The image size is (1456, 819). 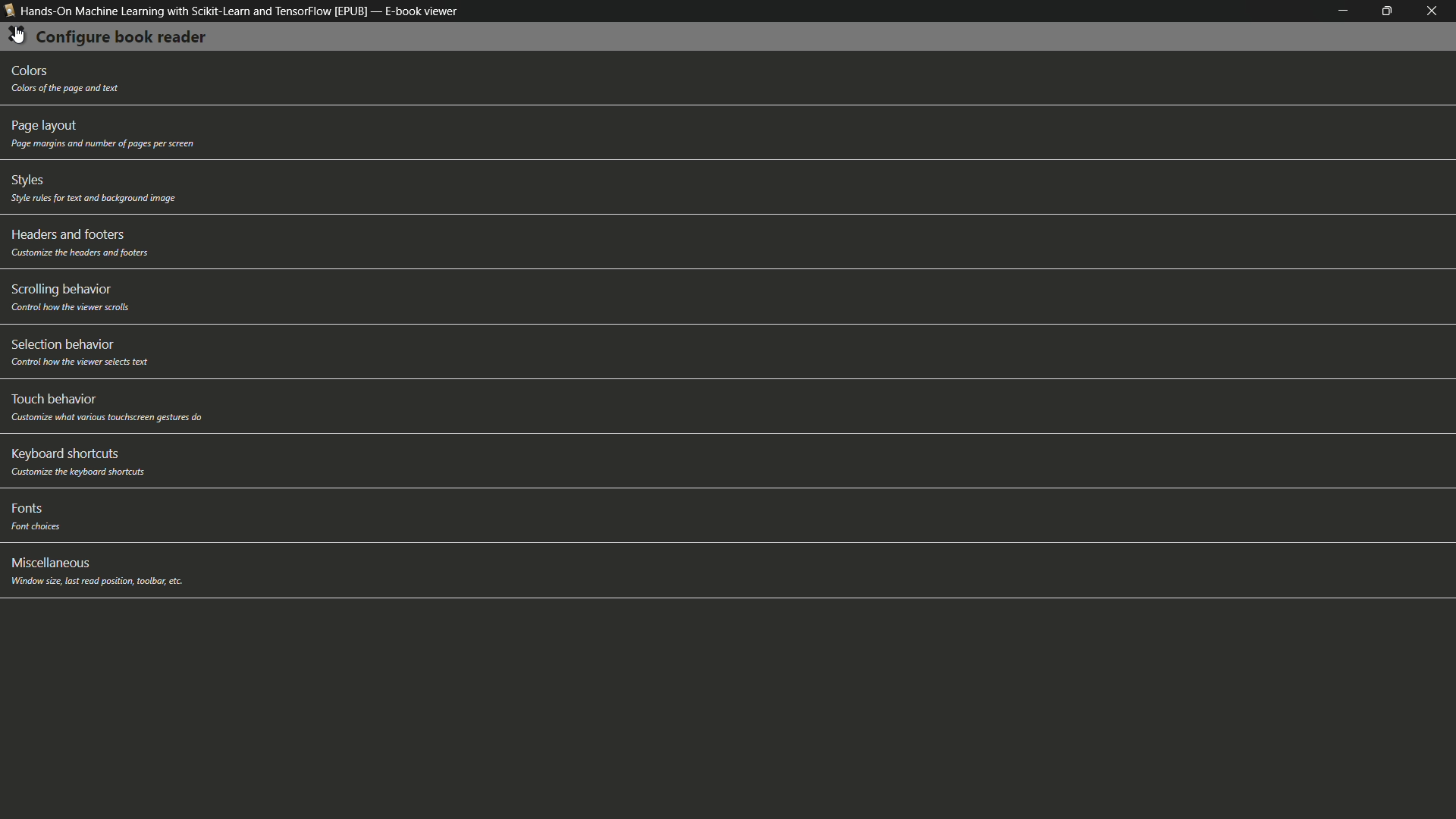 What do you see at coordinates (67, 235) in the screenshot?
I see `headers and footers` at bounding box center [67, 235].